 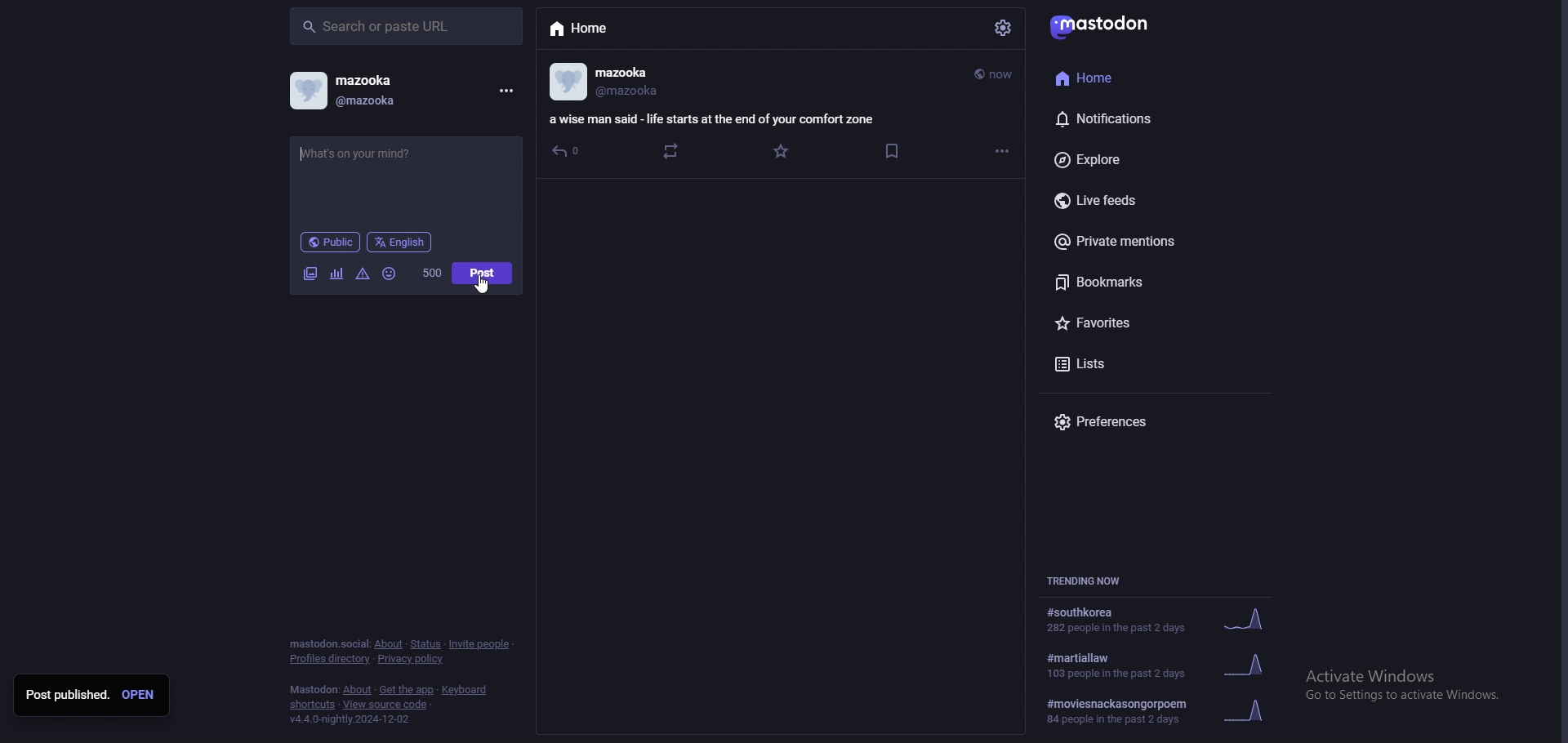 I want to click on mastodon, so click(x=1125, y=25).